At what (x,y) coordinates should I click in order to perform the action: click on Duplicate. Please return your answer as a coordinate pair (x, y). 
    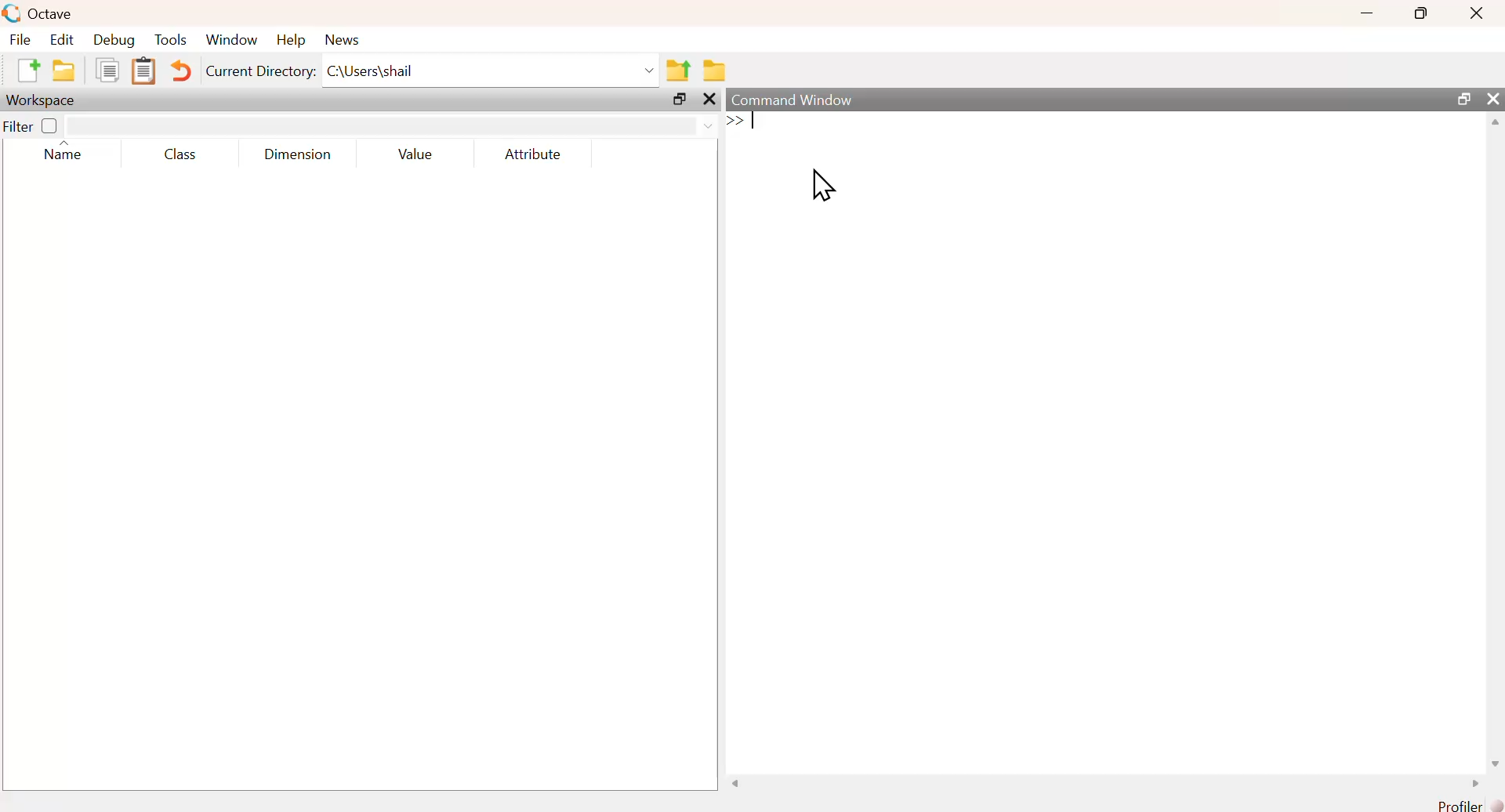
    Looking at the image, I should click on (107, 69).